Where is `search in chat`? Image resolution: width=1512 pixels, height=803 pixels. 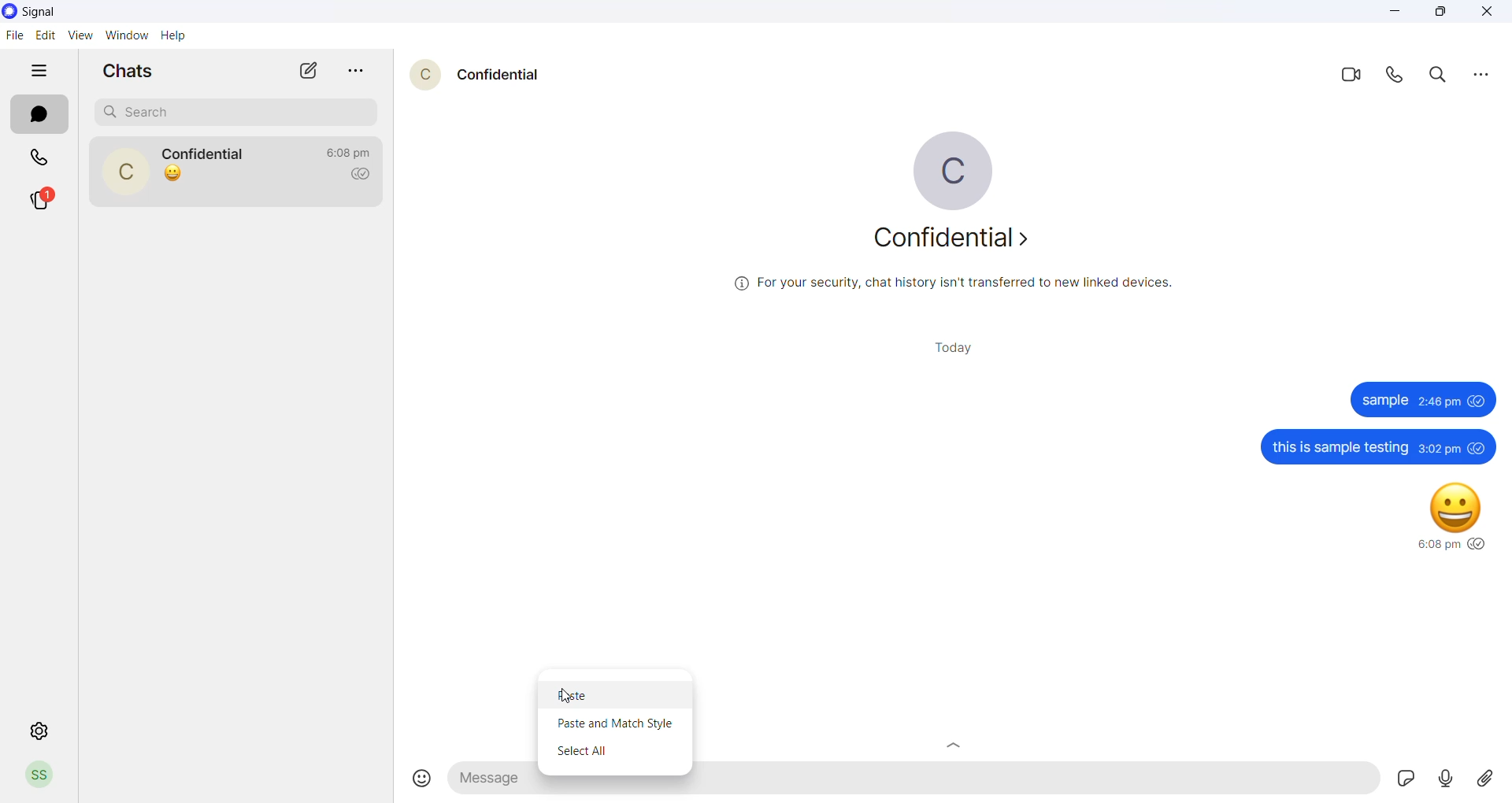
search in chat is located at coordinates (1442, 77).